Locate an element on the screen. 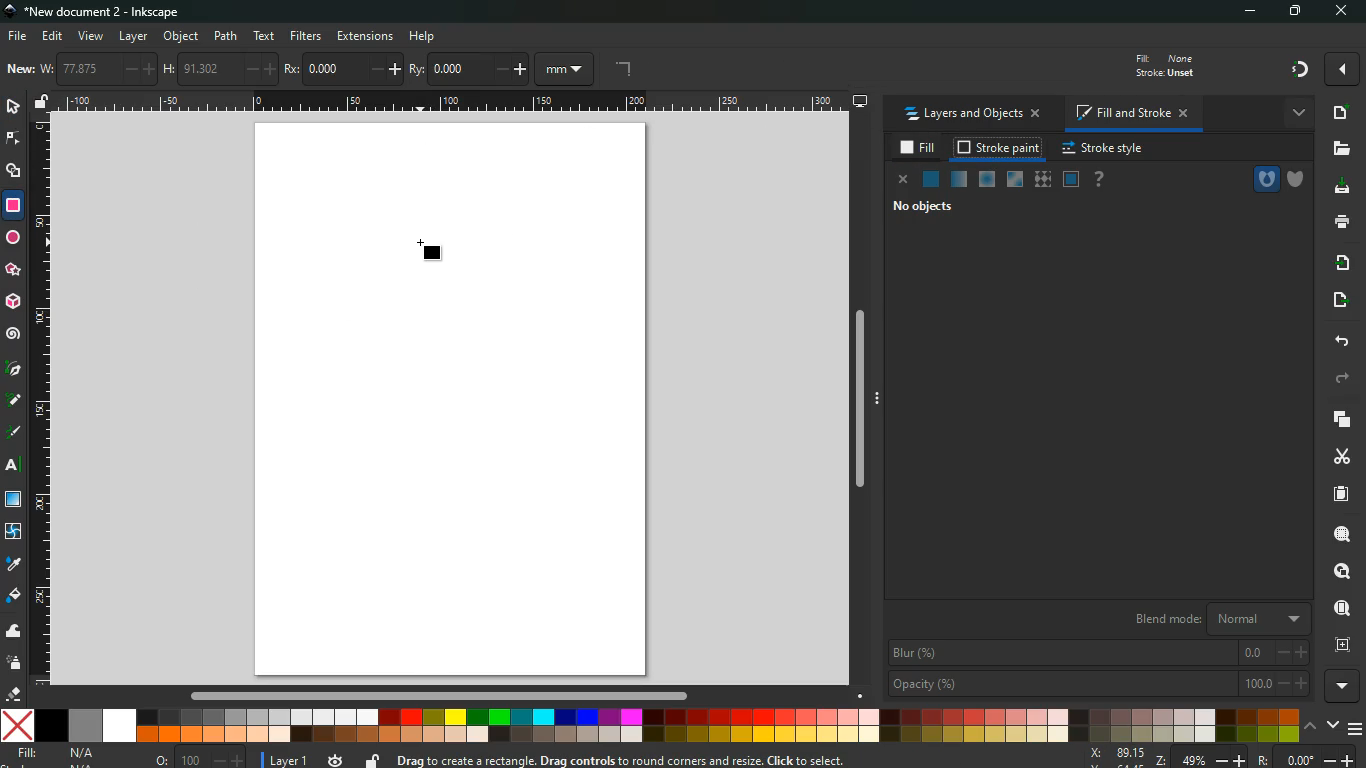 This screenshot has width=1366, height=768. close is located at coordinates (901, 181).